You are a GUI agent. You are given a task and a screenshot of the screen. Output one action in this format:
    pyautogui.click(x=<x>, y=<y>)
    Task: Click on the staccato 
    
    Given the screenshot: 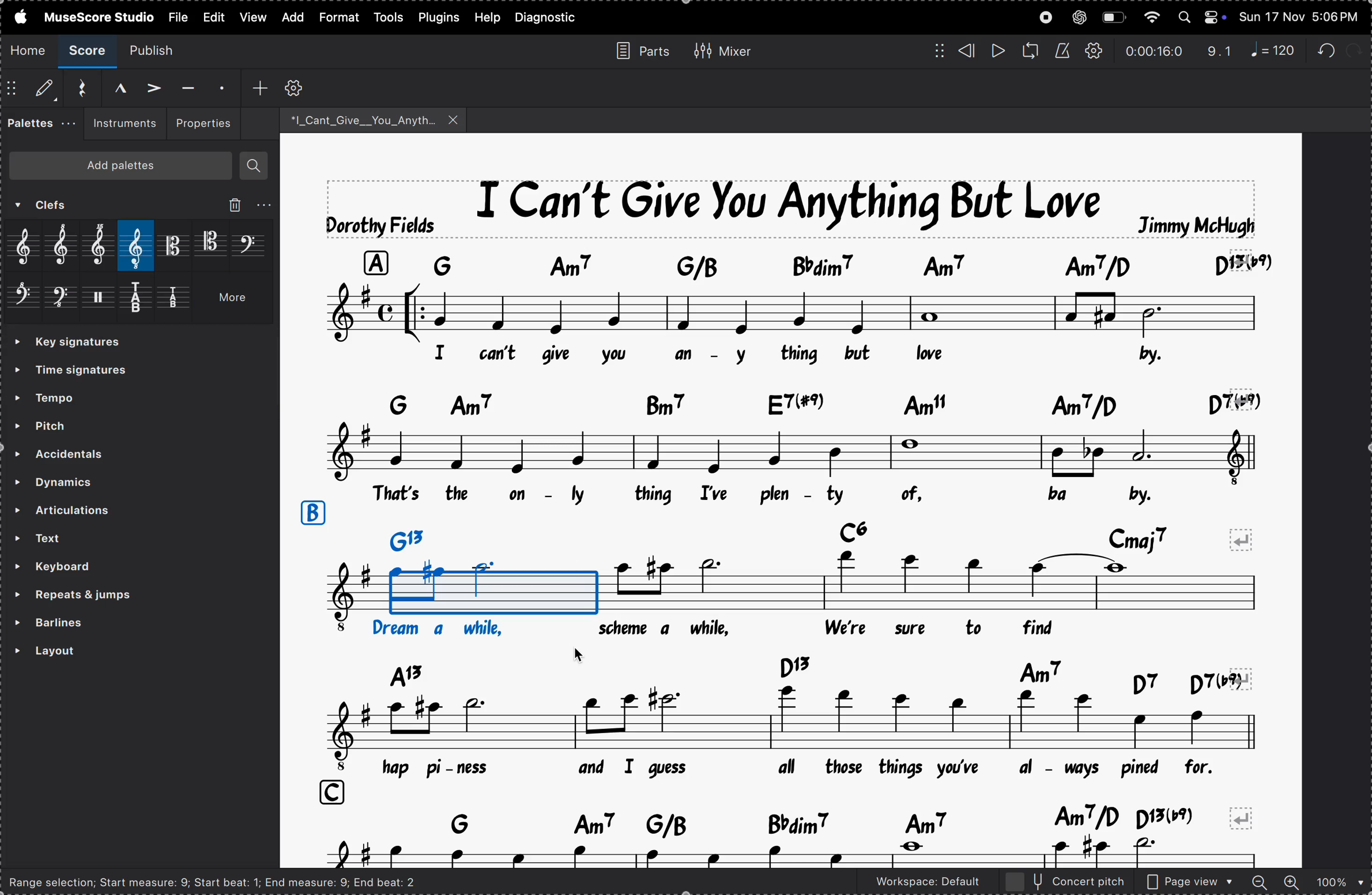 What is the action you would take?
    pyautogui.click(x=220, y=86)
    